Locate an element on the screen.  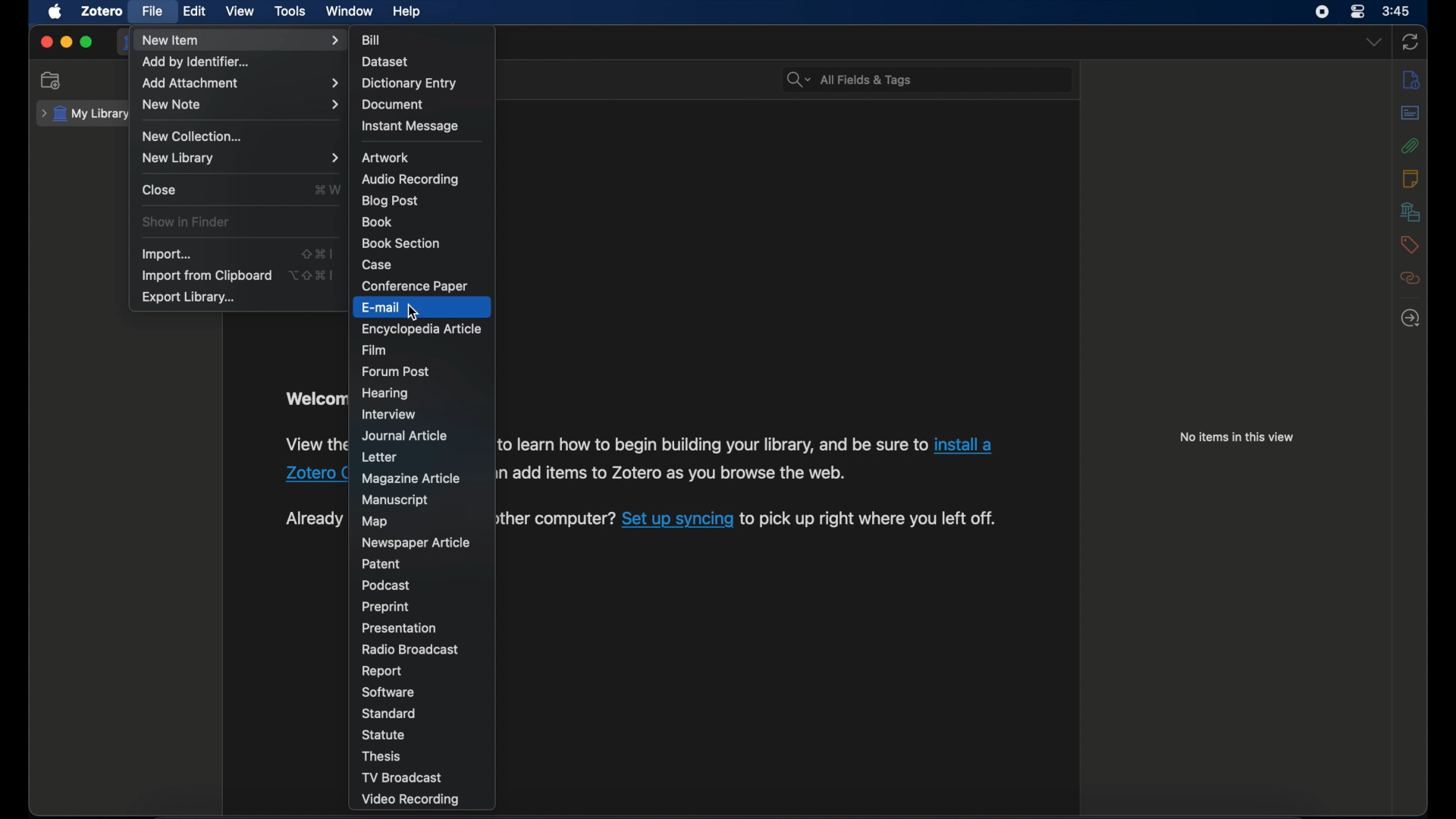
3.45 is located at coordinates (1396, 12).